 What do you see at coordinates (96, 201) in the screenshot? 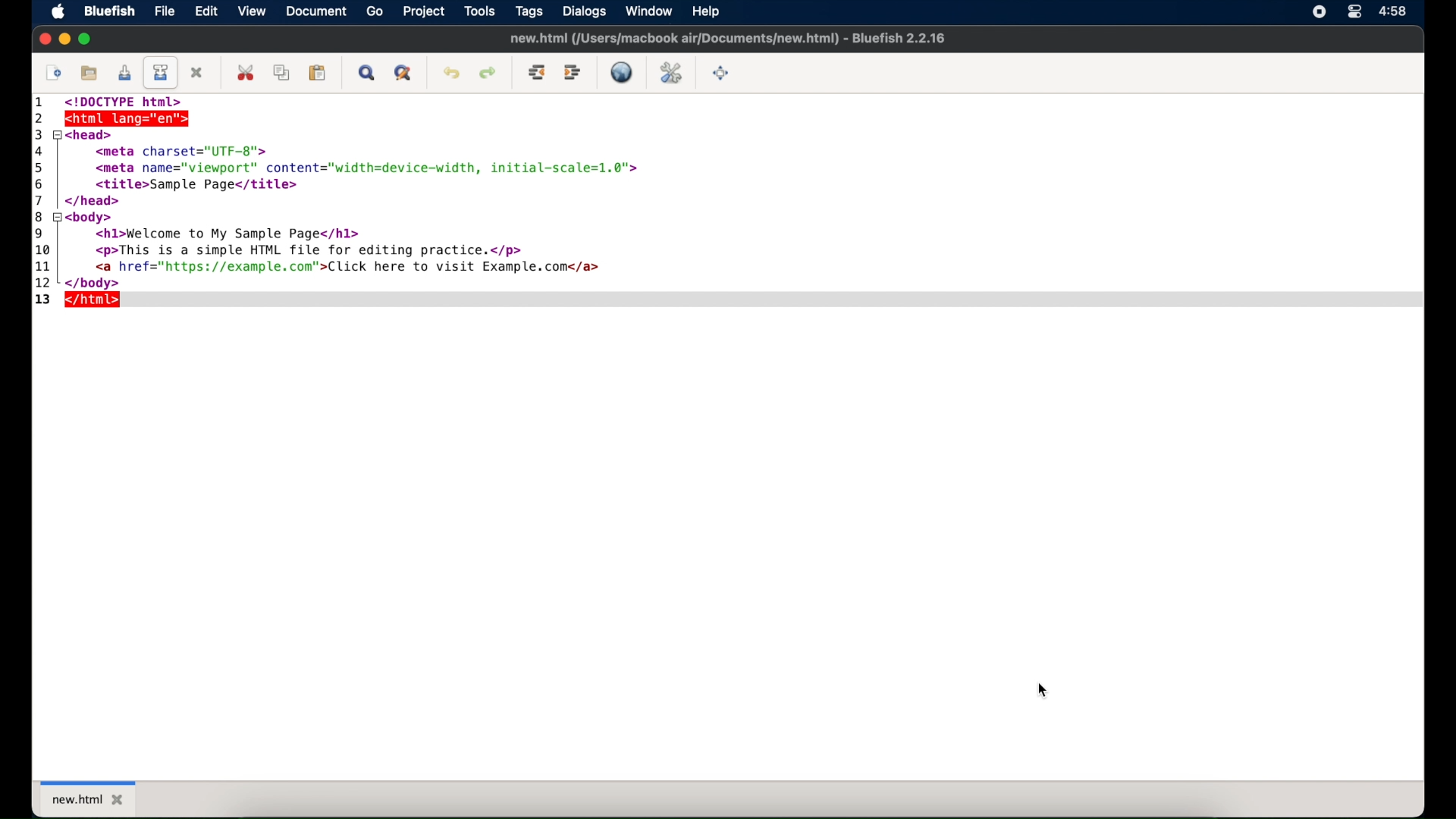
I see `</head>` at bounding box center [96, 201].